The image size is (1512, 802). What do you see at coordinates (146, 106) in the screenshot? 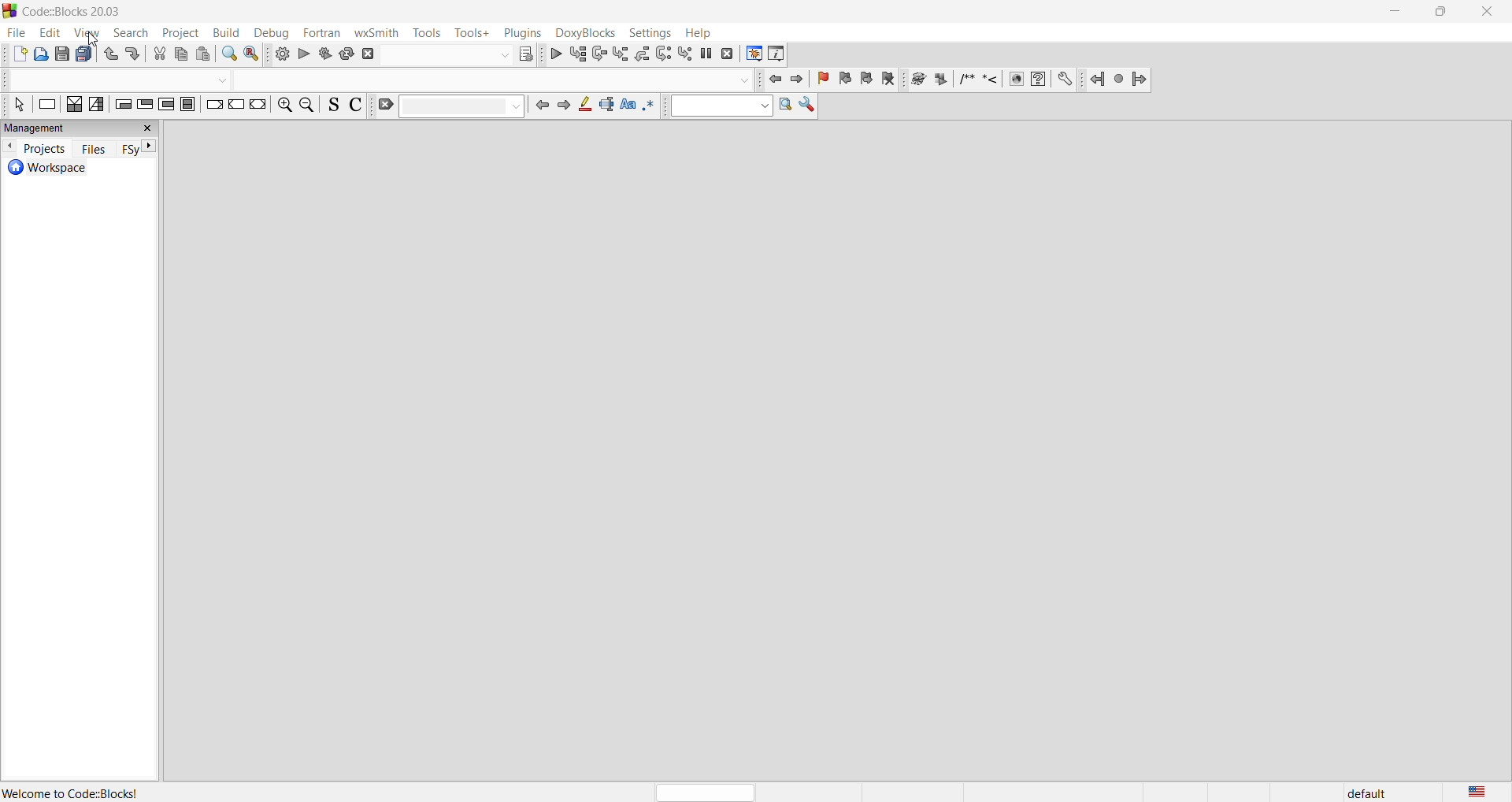
I see `exist conditional loop` at bounding box center [146, 106].